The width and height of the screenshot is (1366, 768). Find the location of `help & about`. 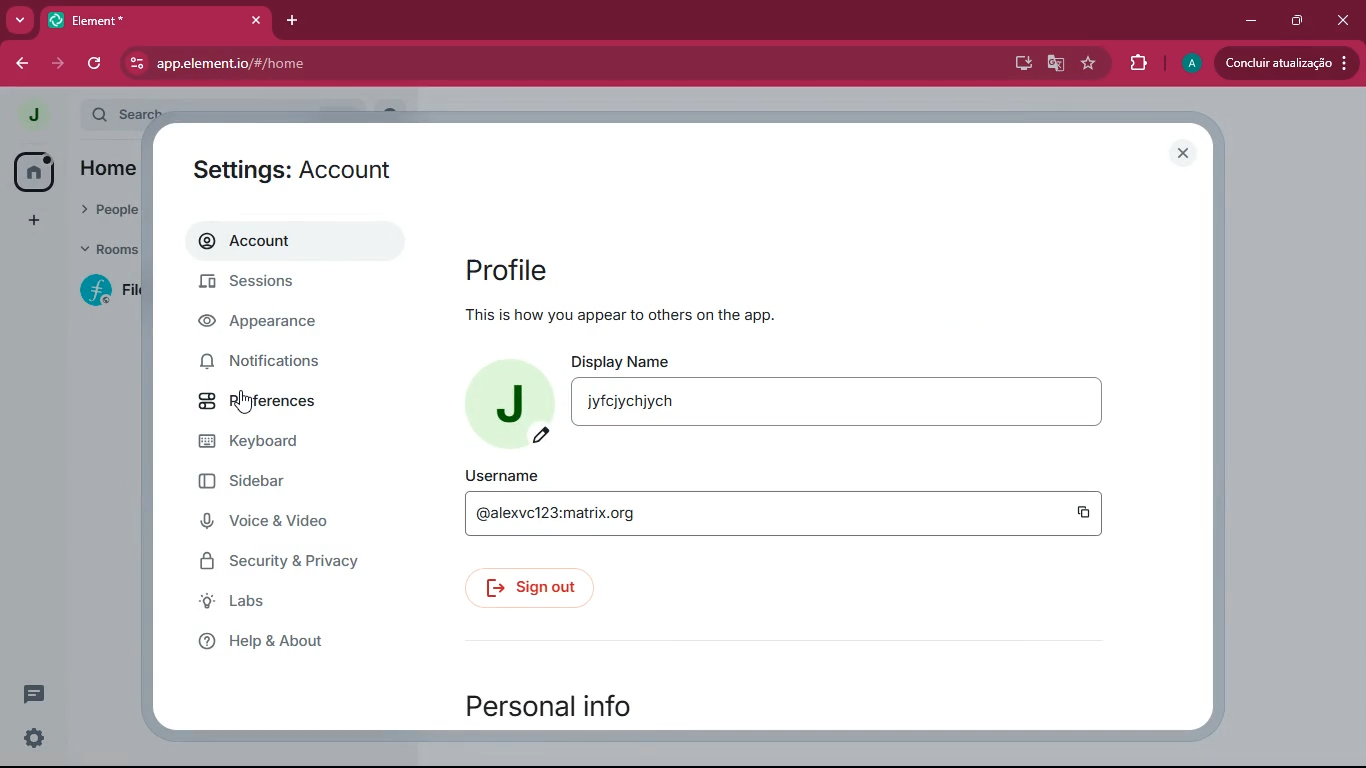

help & about is located at coordinates (302, 642).